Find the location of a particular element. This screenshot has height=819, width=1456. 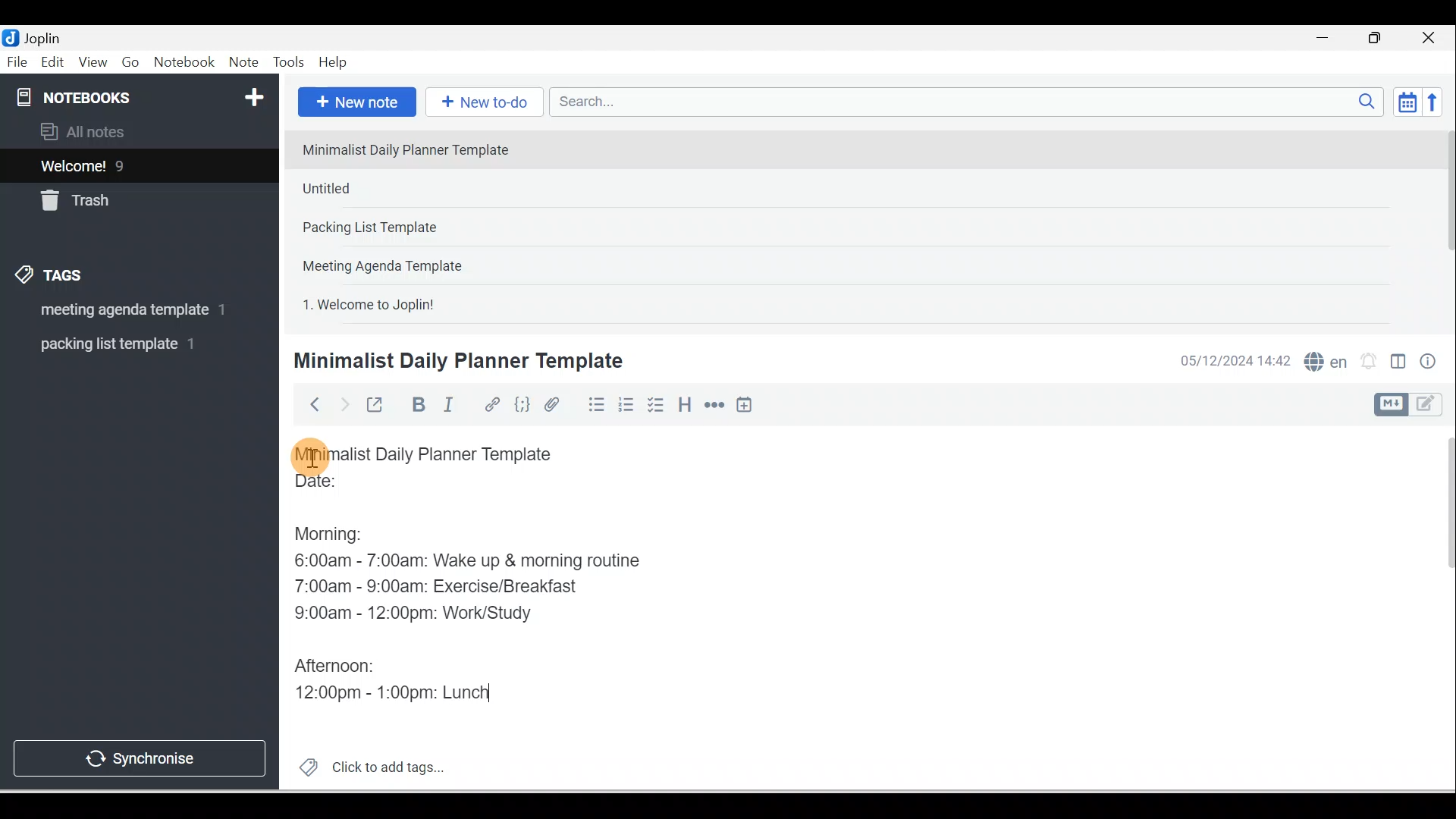

6:00am - 7:00am: Wake up & morning routine is located at coordinates (472, 560).